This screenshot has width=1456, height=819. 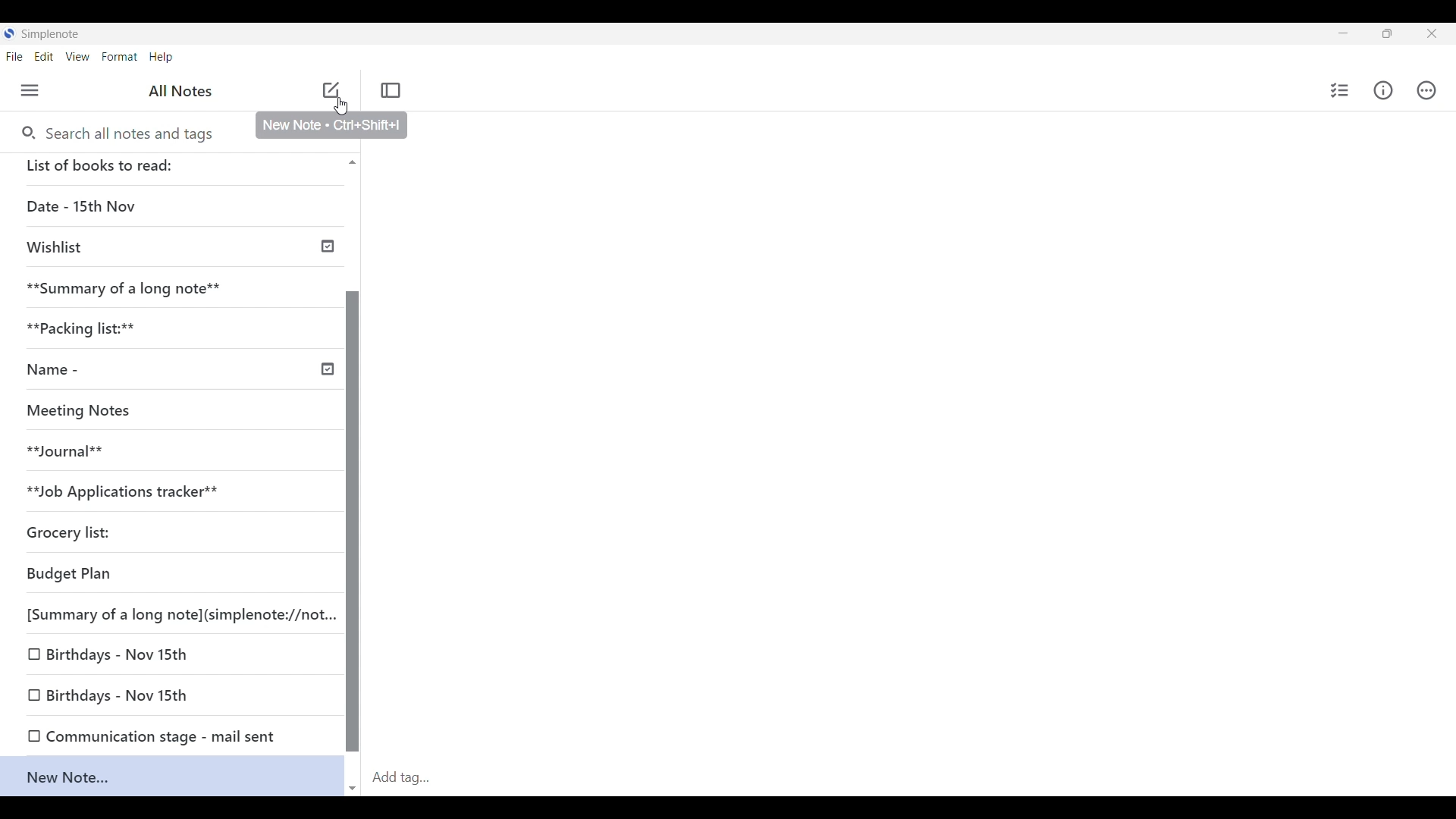 What do you see at coordinates (136, 455) in the screenshot?
I see `**Journal**` at bounding box center [136, 455].